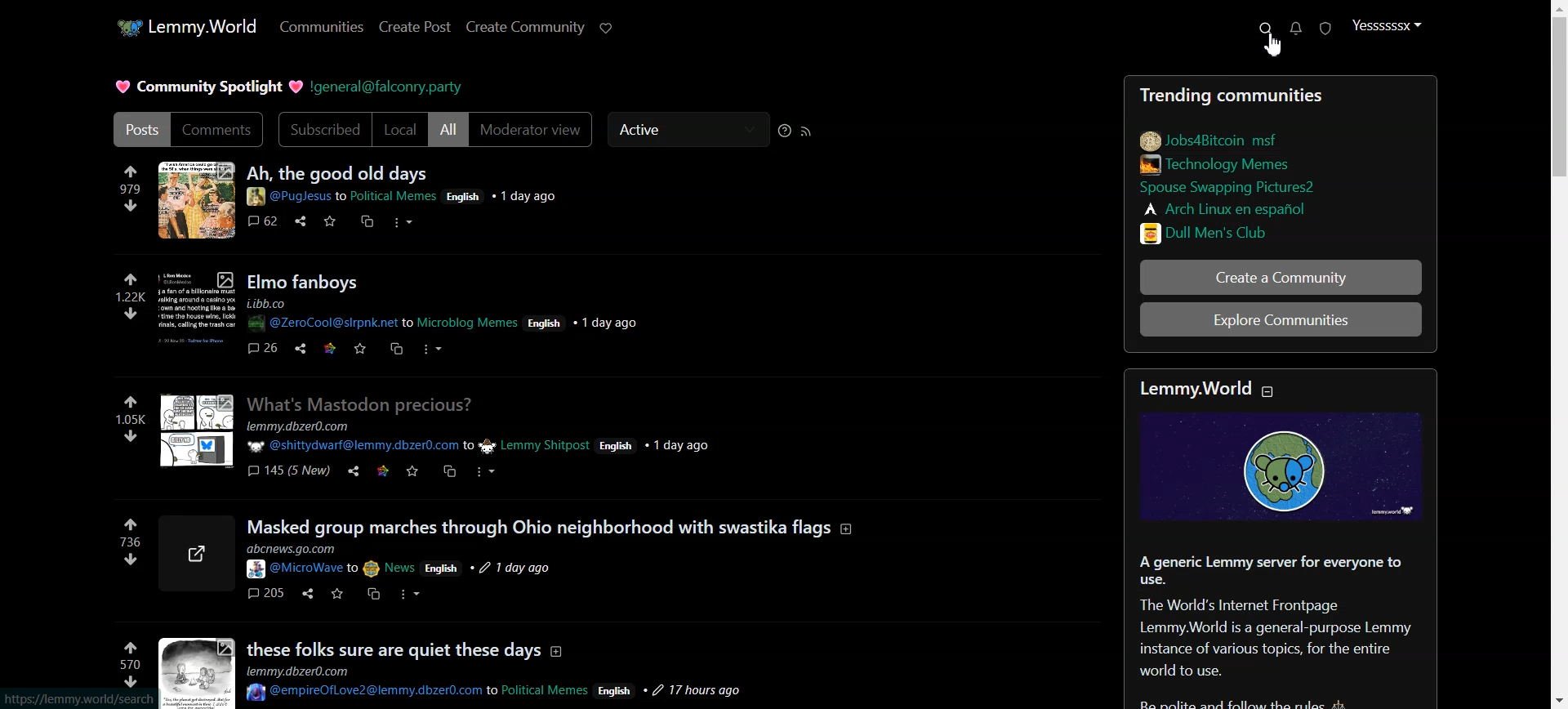  I want to click on , so click(129, 402).